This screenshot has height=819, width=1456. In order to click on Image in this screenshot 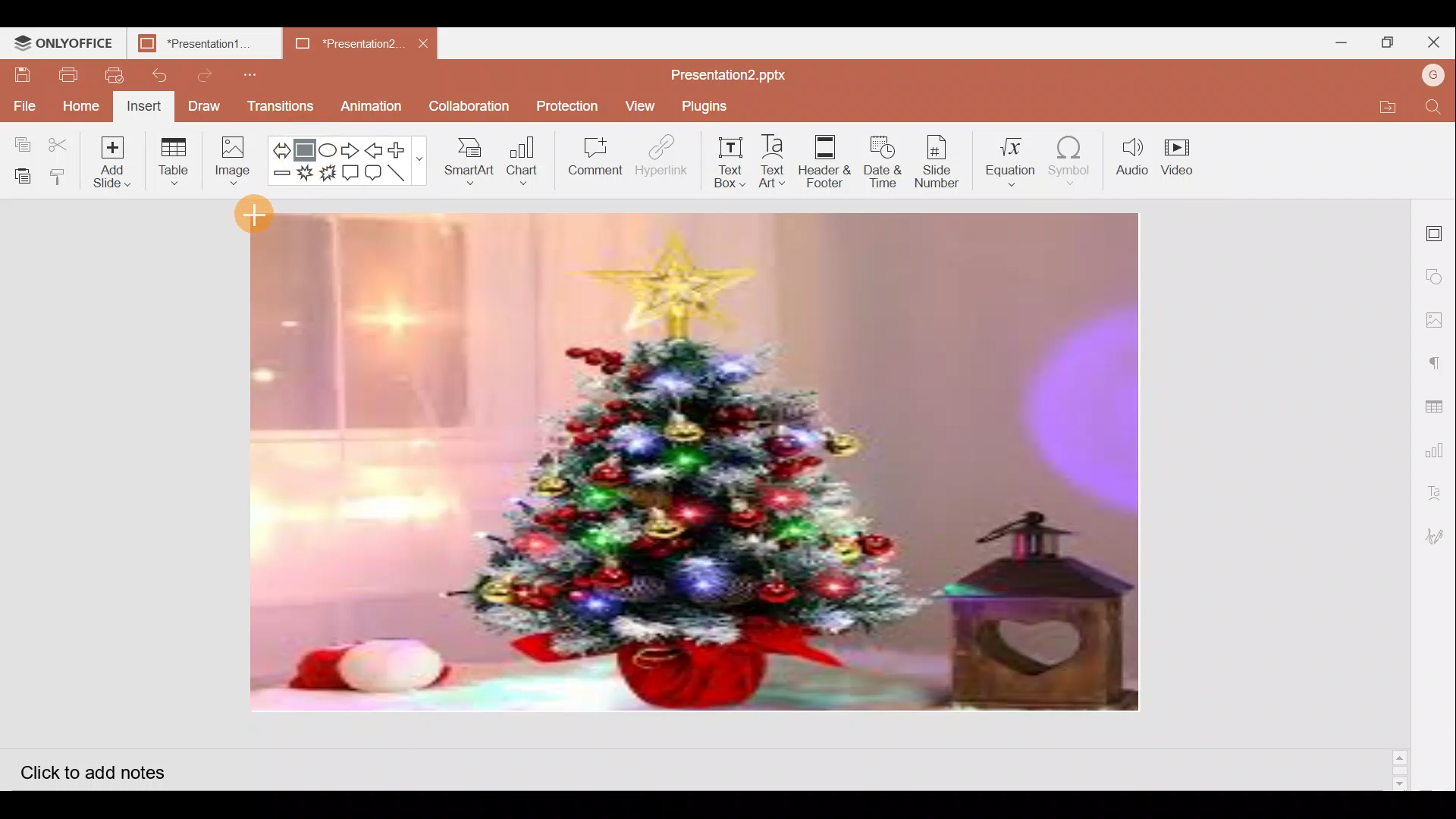, I will do `click(233, 161)`.